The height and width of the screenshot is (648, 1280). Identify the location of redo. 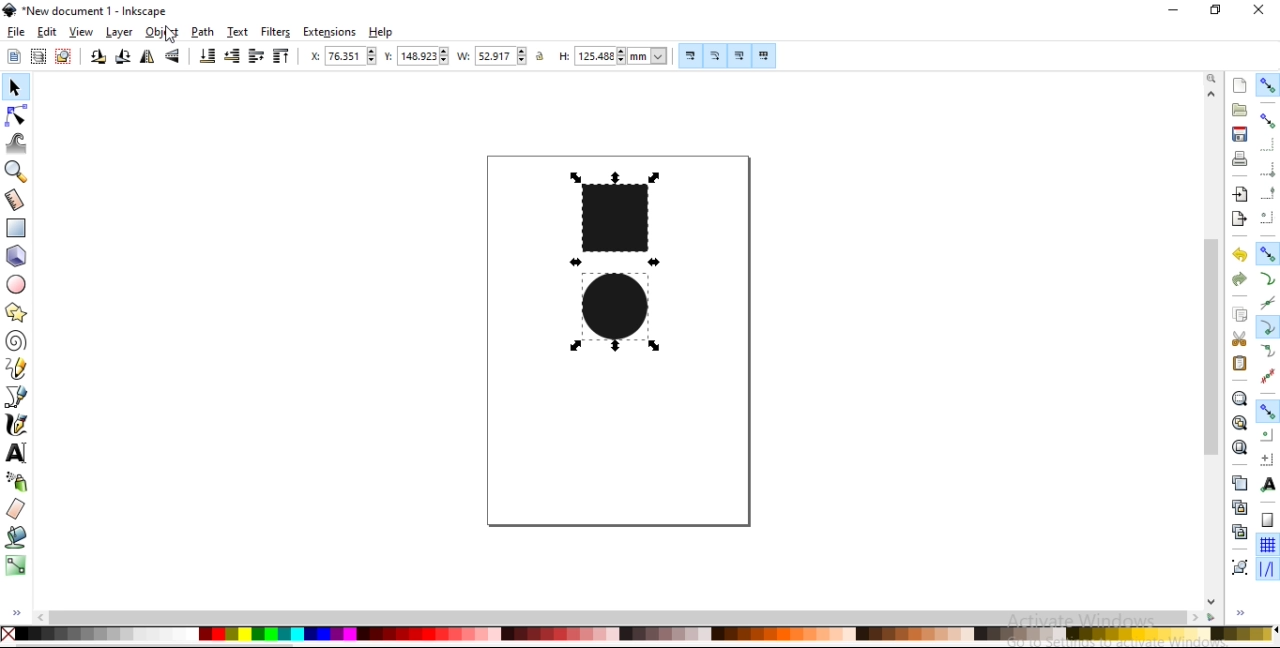
(1237, 279).